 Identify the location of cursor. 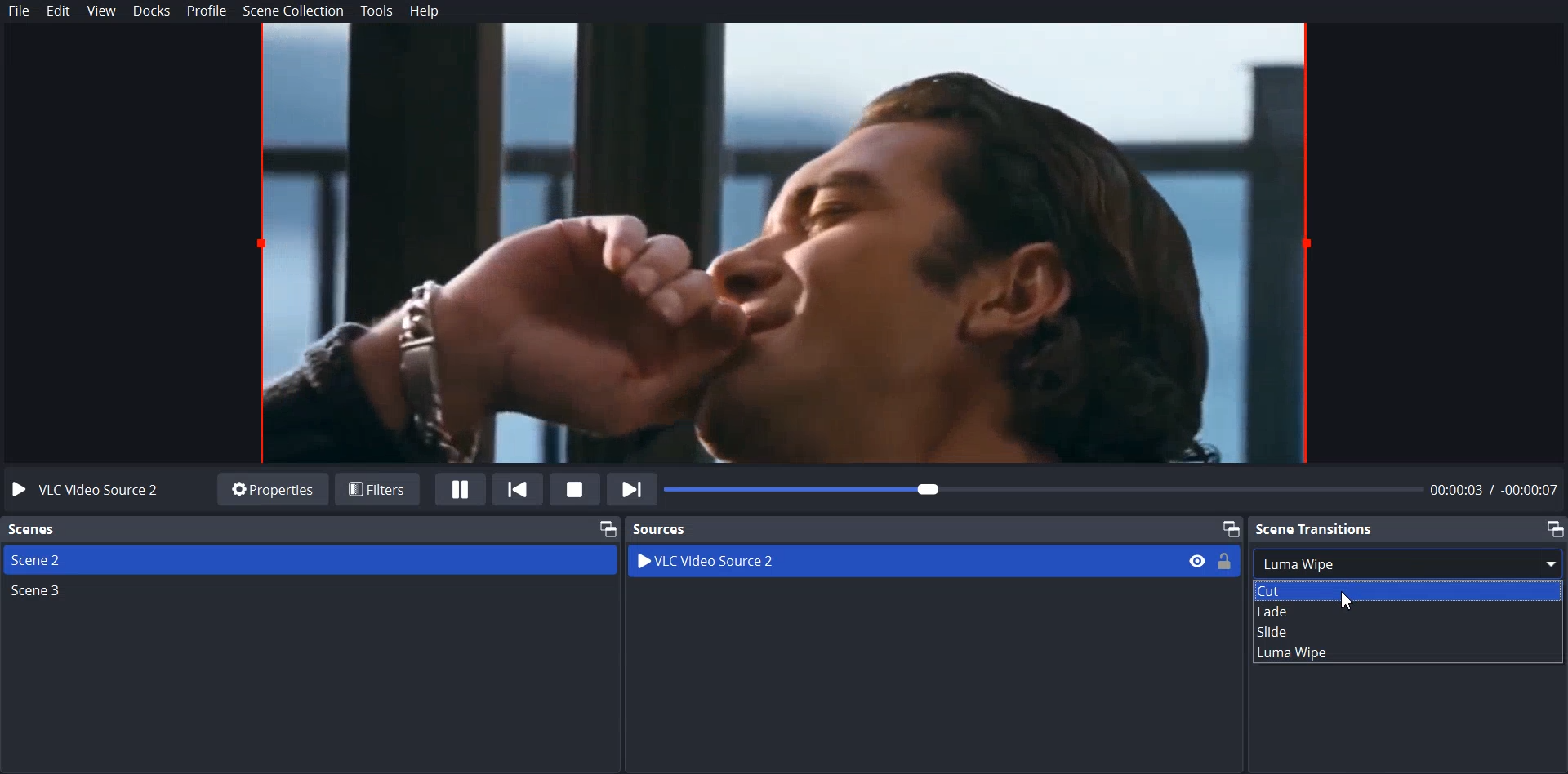
(1347, 599).